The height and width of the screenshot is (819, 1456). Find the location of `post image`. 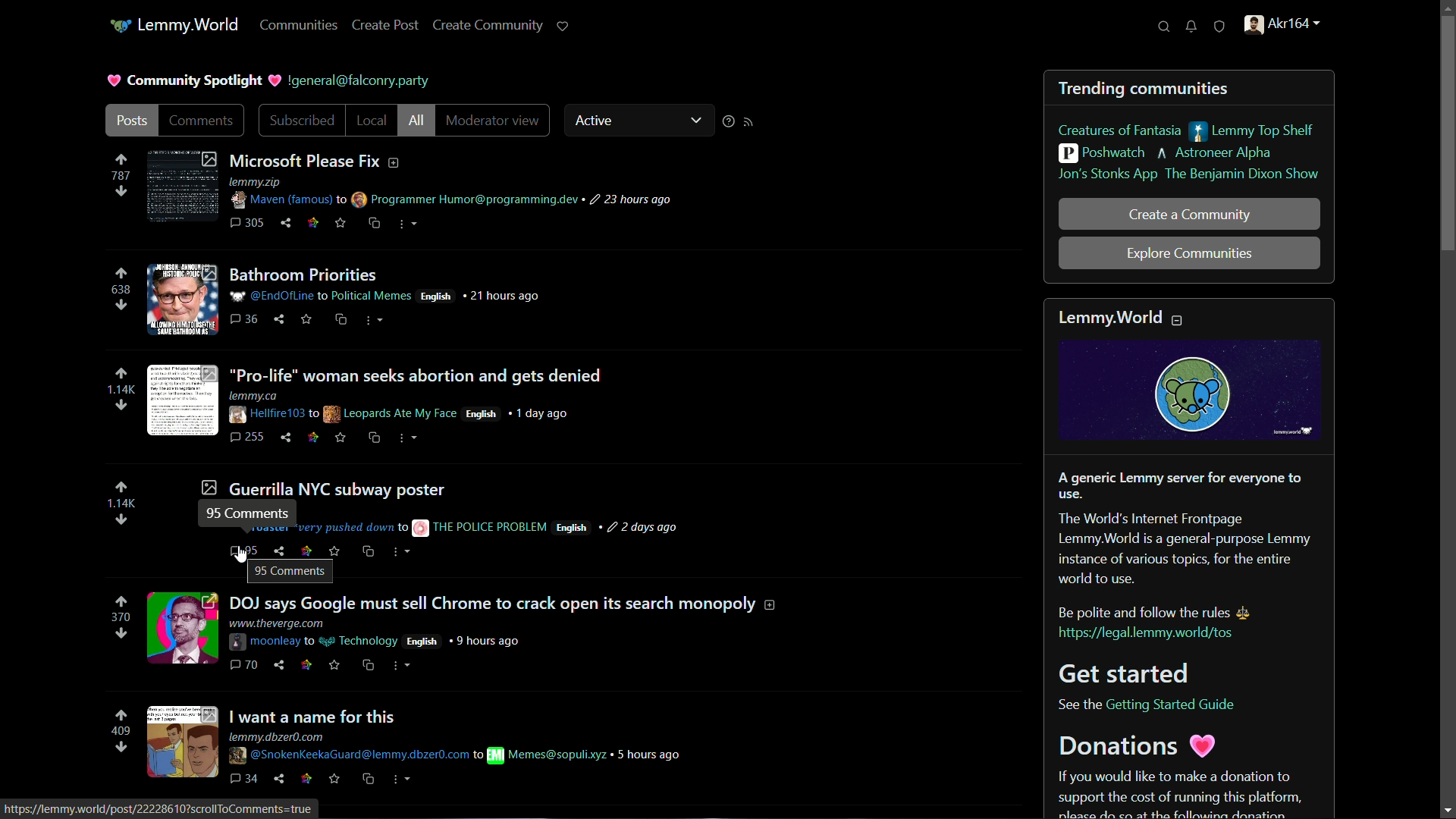

post image is located at coordinates (181, 300).